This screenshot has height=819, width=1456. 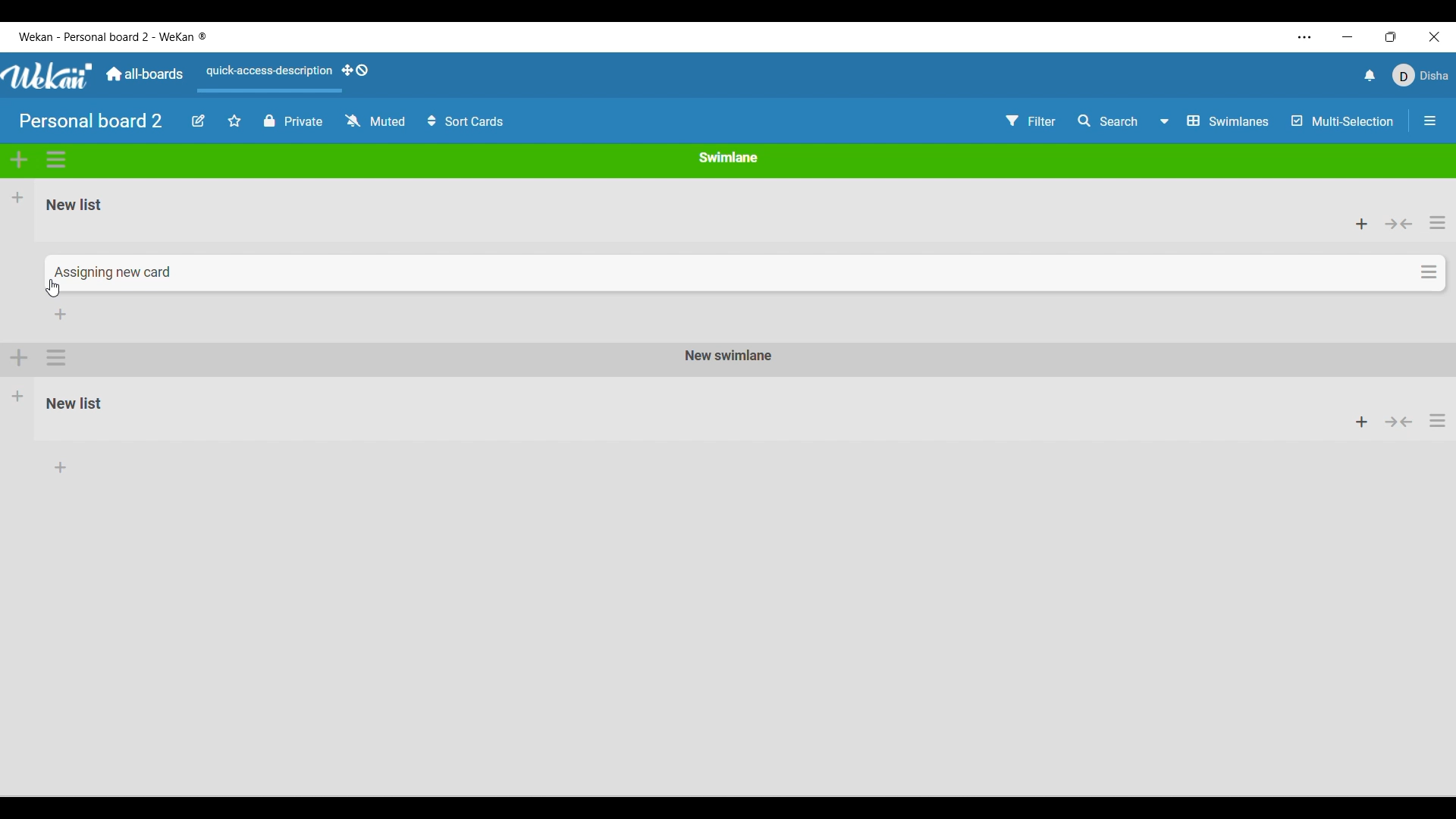 I want to click on List actions, so click(x=1438, y=223).